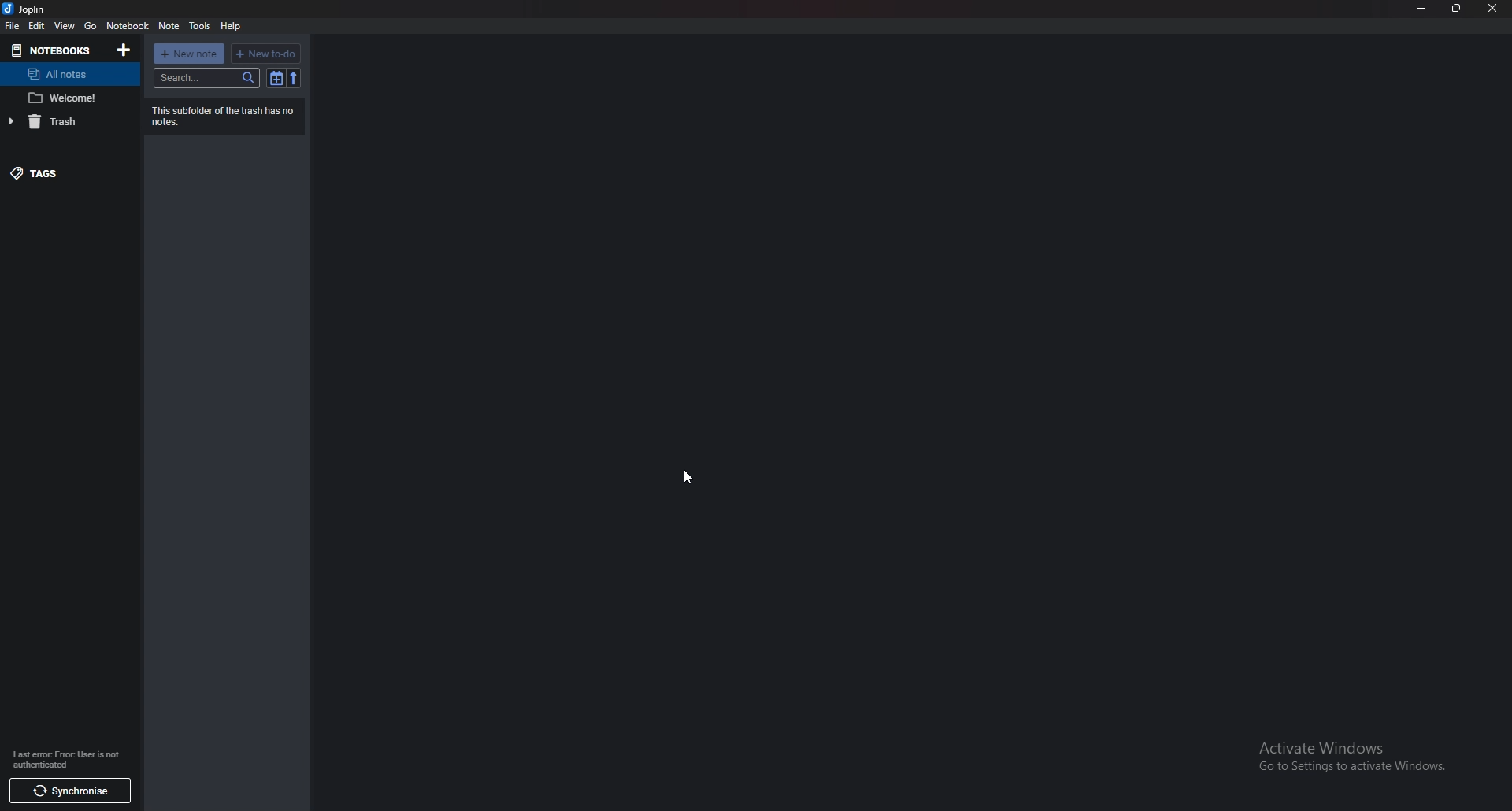  Describe the element at coordinates (276, 78) in the screenshot. I see `toggle sort` at that location.